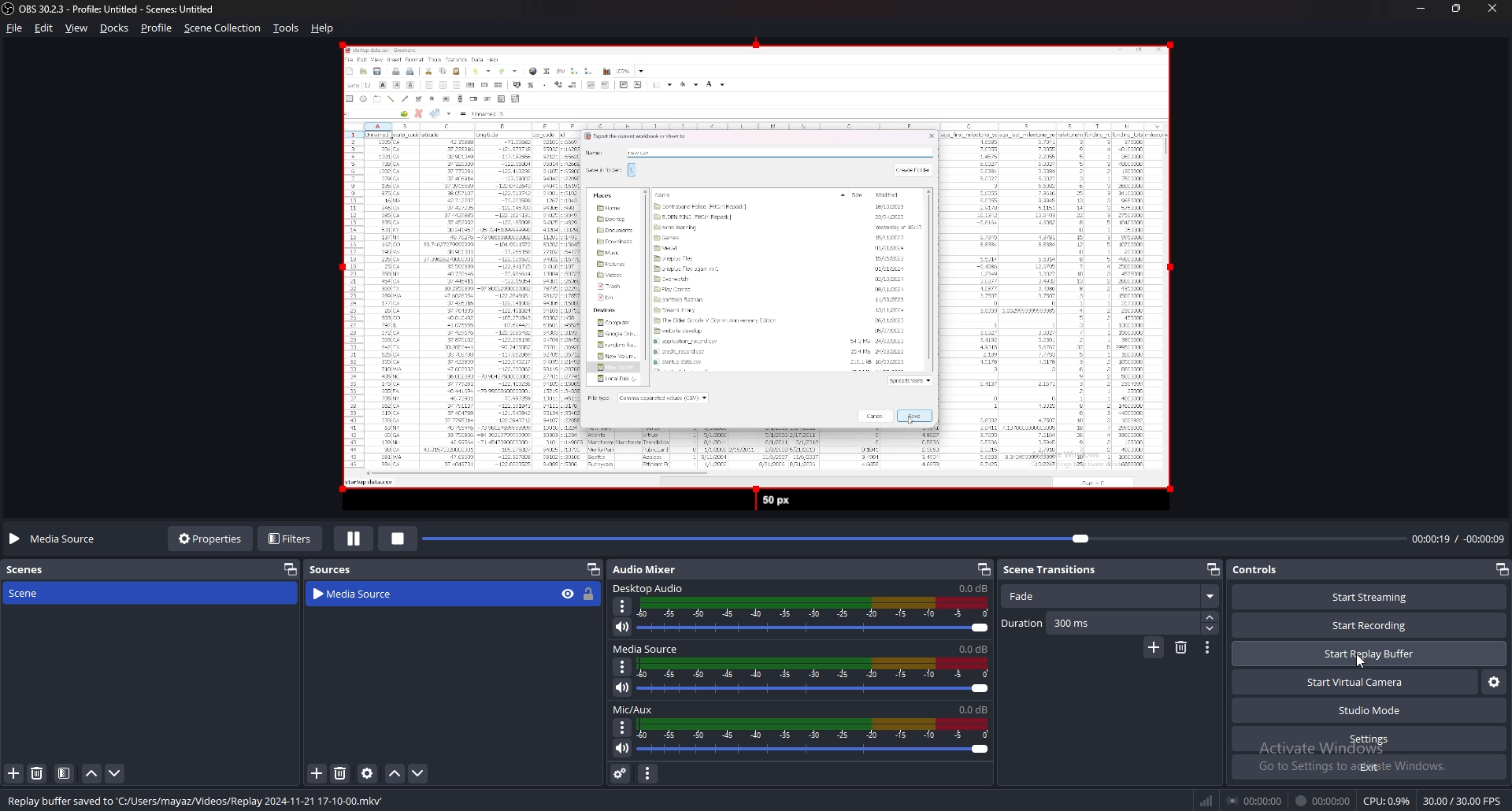  What do you see at coordinates (1369, 710) in the screenshot?
I see `studio mode` at bounding box center [1369, 710].